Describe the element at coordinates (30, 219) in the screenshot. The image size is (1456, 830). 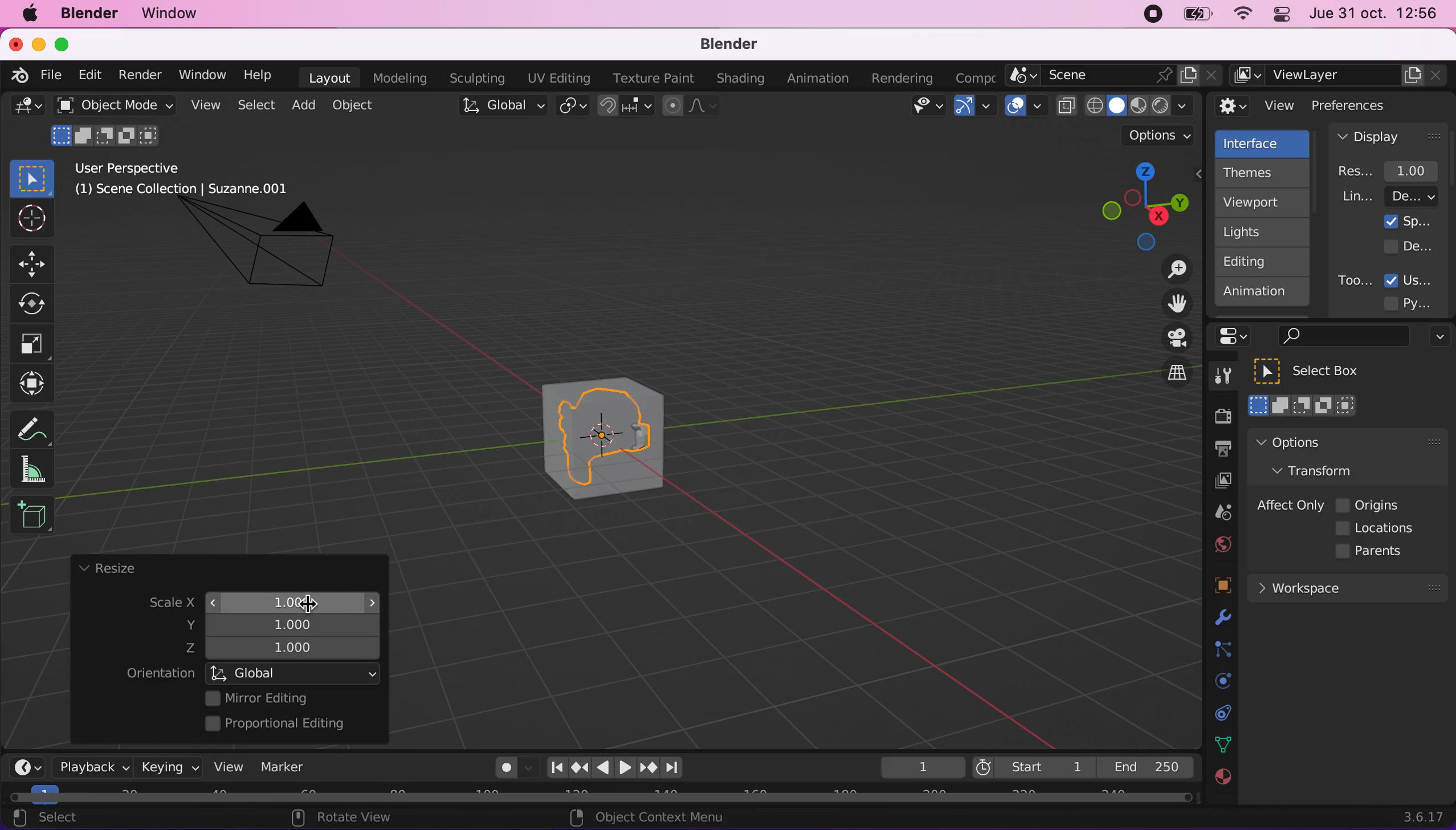
I see `` at that location.